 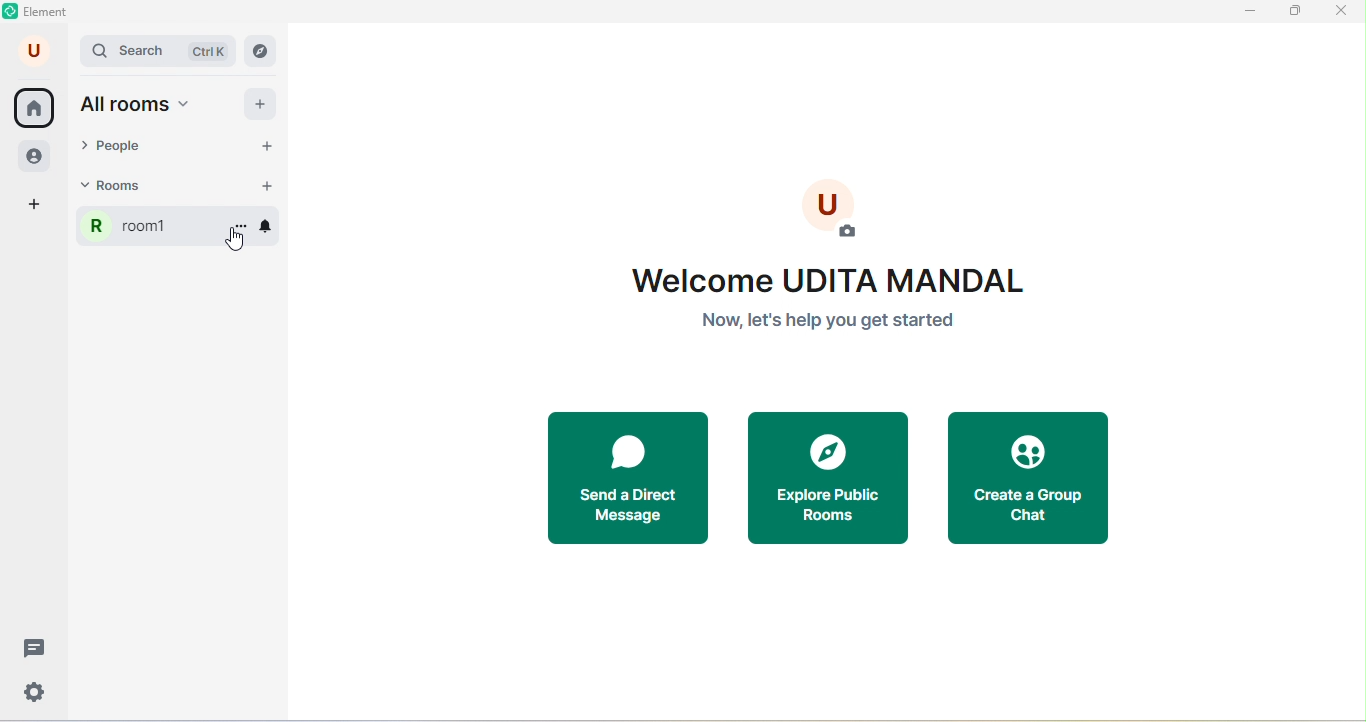 I want to click on minimize, so click(x=1249, y=13).